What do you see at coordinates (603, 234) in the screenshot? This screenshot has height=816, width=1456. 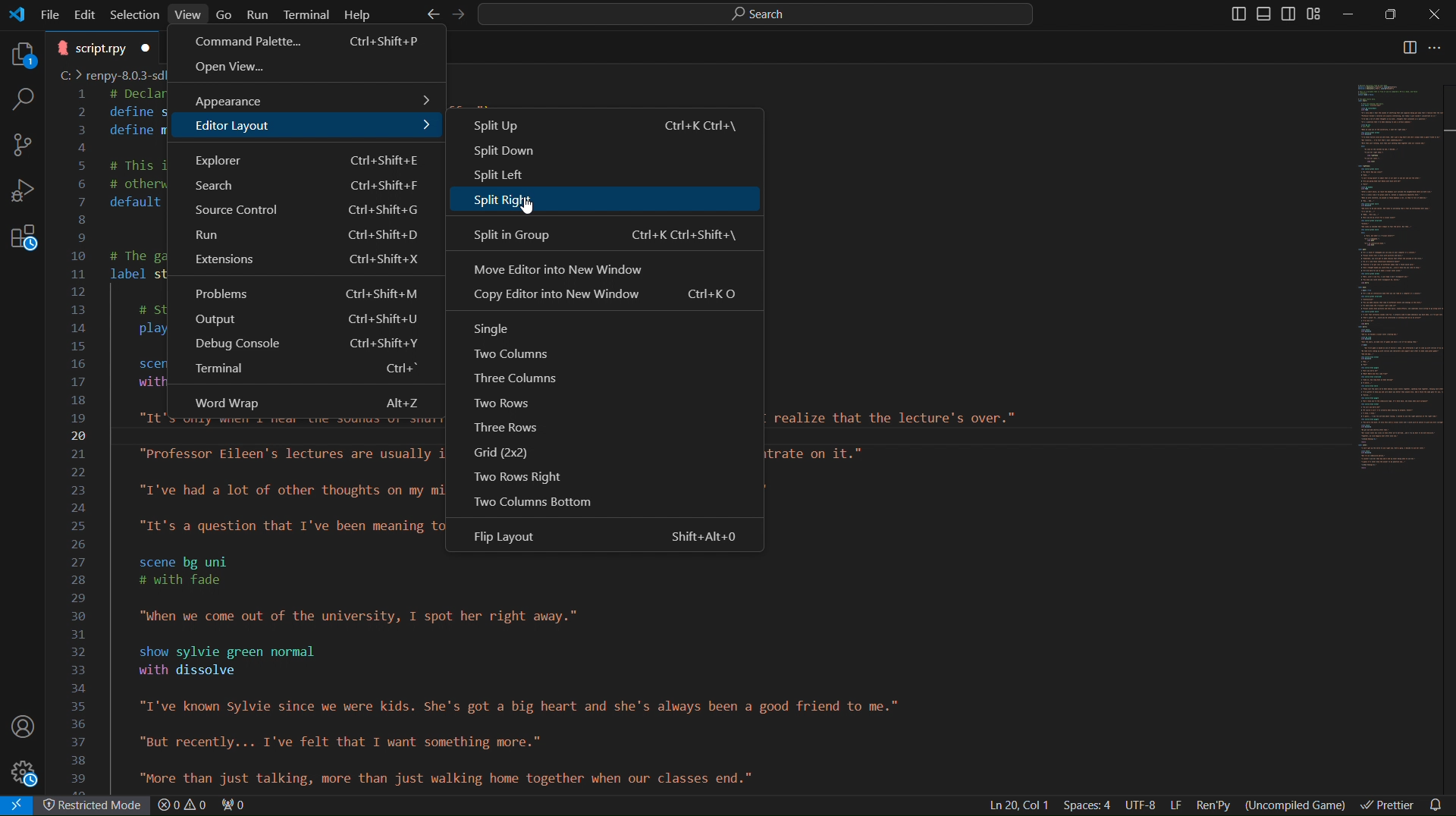 I see `Split in Group   ctrl+K ctrl+shift+\` at bounding box center [603, 234].